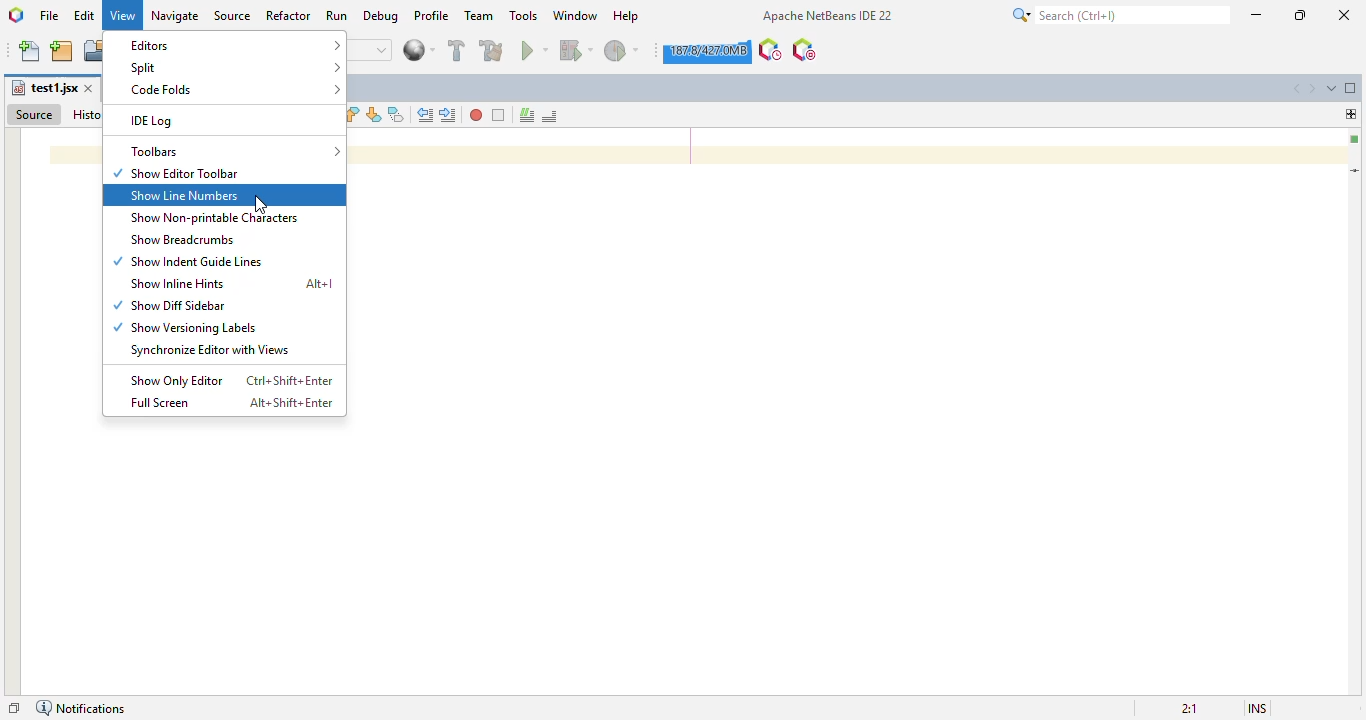 The image size is (1366, 720). I want to click on source, so click(233, 15).